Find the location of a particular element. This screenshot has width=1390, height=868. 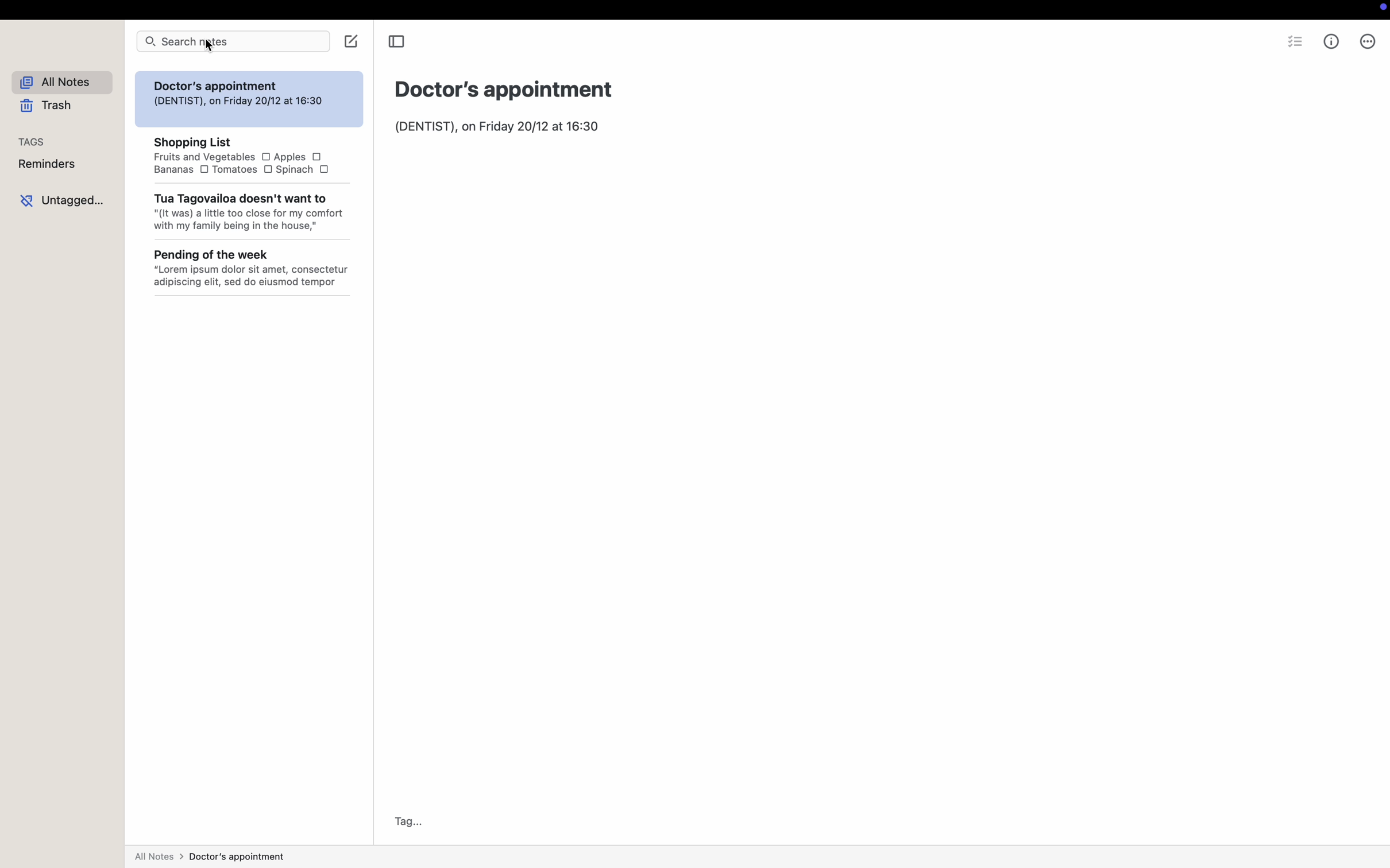

Doctor's appointment
(DENTIST), on Friday 20/12 at 16:30 is located at coordinates (240, 94).